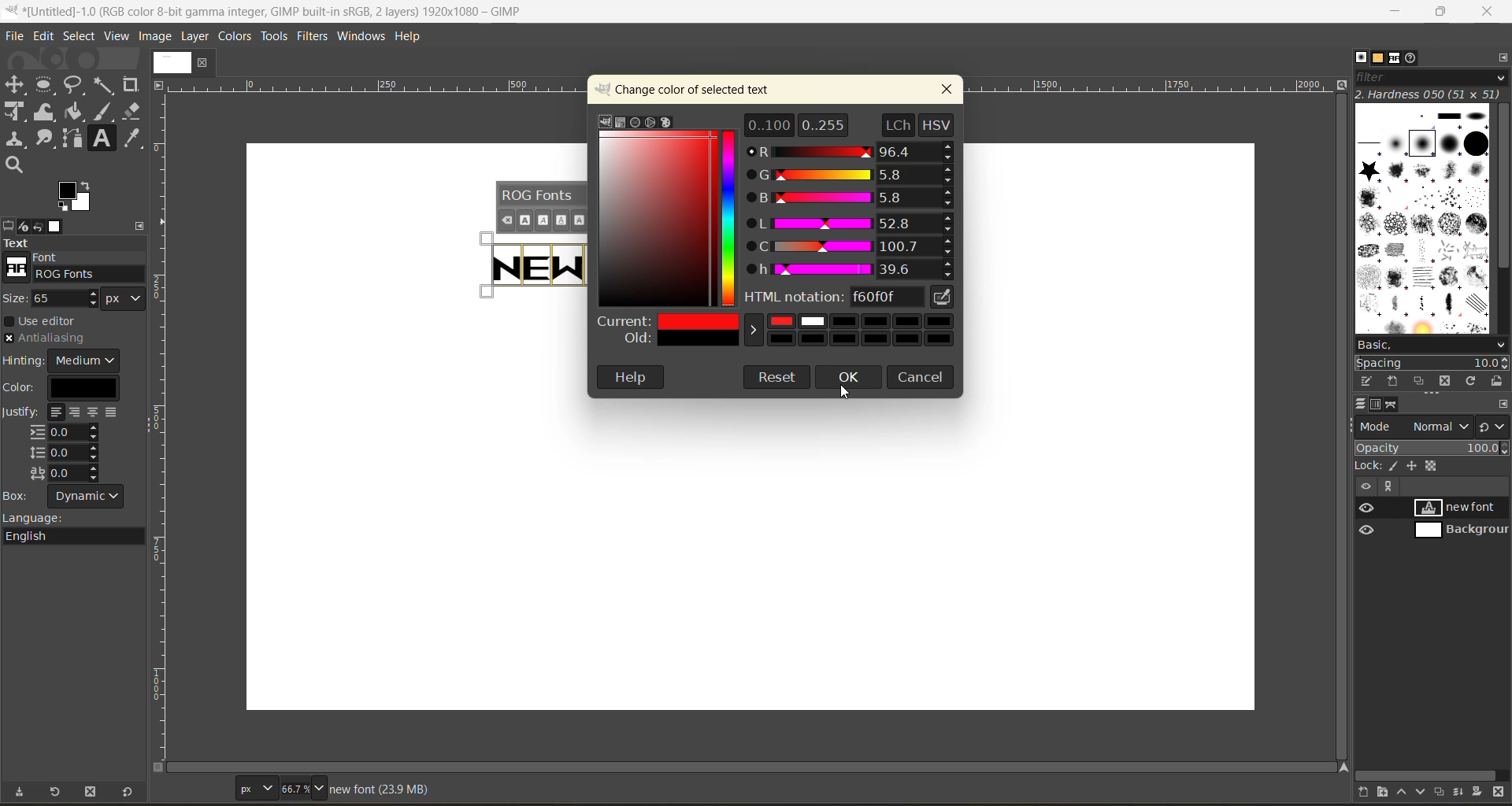 The image size is (1512, 806). I want to click on size, so click(79, 298).